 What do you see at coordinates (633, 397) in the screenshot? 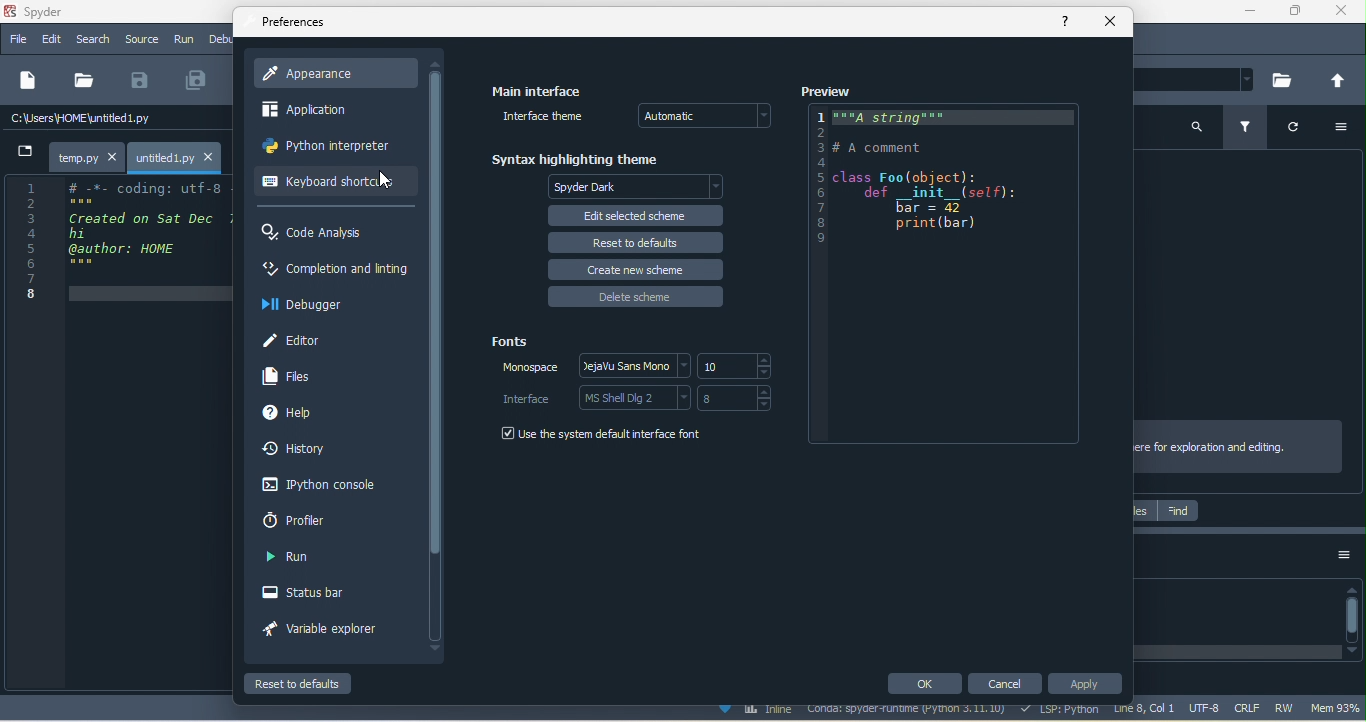
I see `ms shell dig2` at bounding box center [633, 397].